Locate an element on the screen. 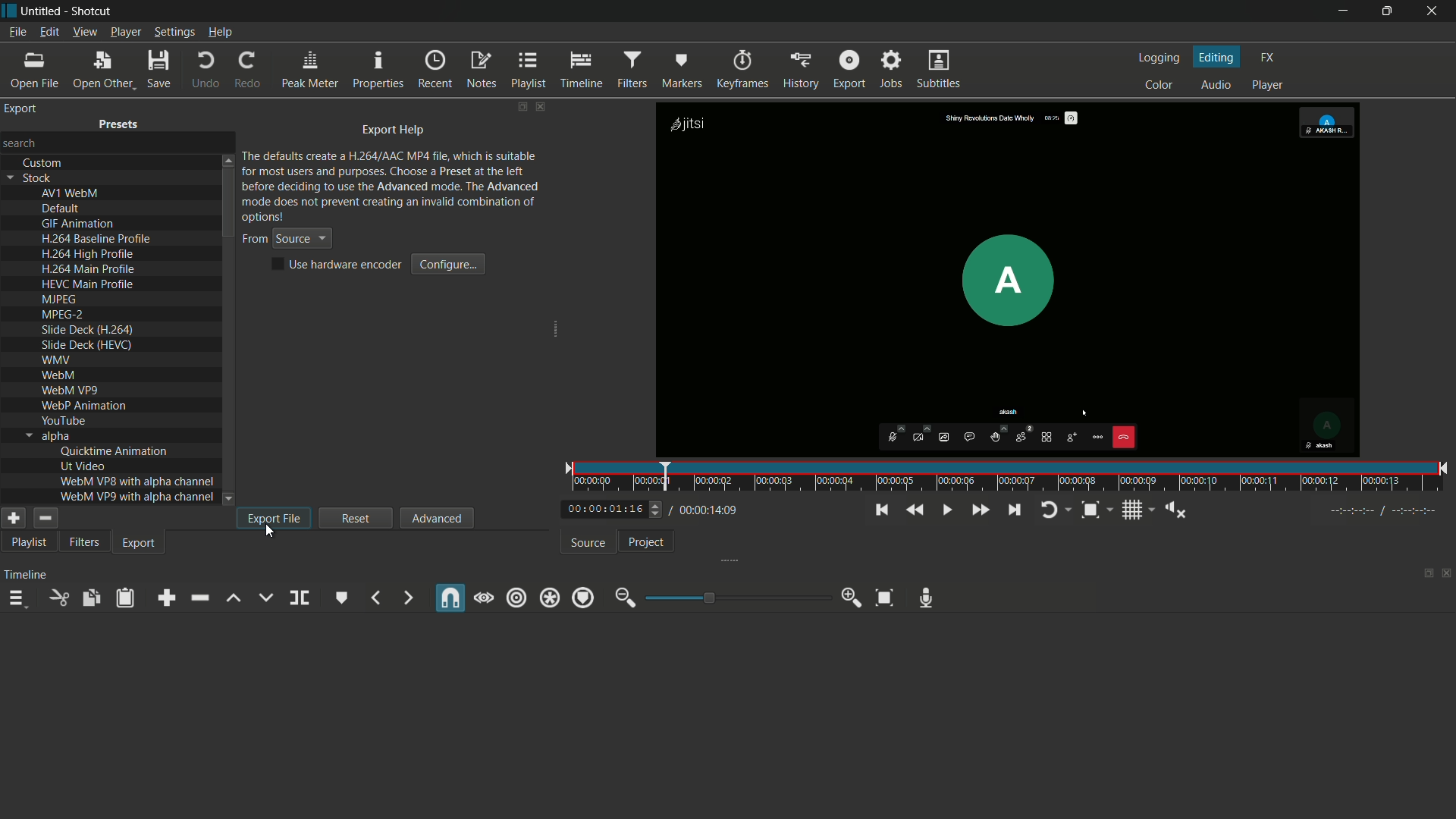  snap is located at coordinates (451, 598).